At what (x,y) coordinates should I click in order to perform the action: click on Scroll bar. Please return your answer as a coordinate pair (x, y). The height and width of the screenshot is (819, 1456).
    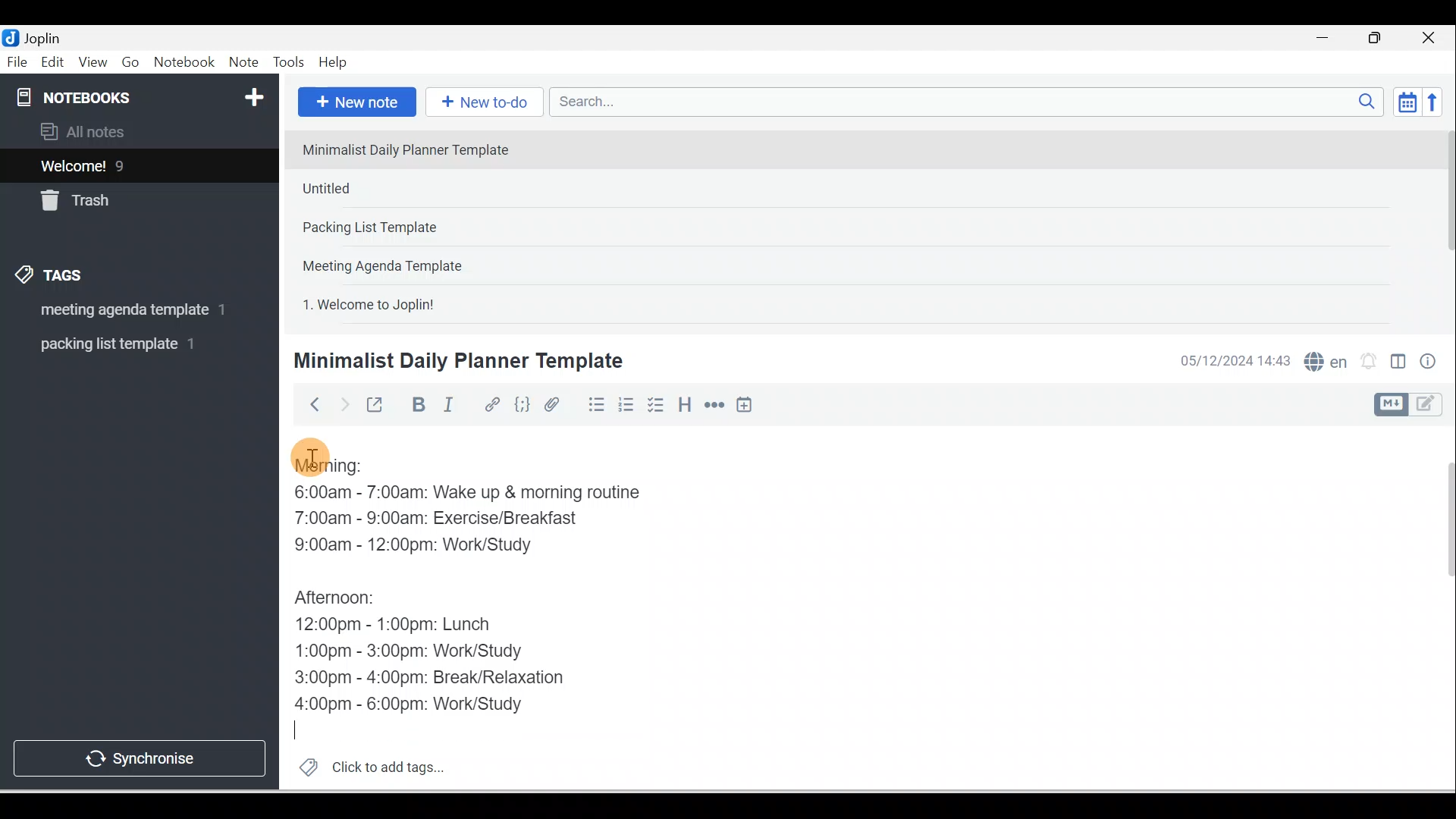
    Looking at the image, I should click on (1444, 224).